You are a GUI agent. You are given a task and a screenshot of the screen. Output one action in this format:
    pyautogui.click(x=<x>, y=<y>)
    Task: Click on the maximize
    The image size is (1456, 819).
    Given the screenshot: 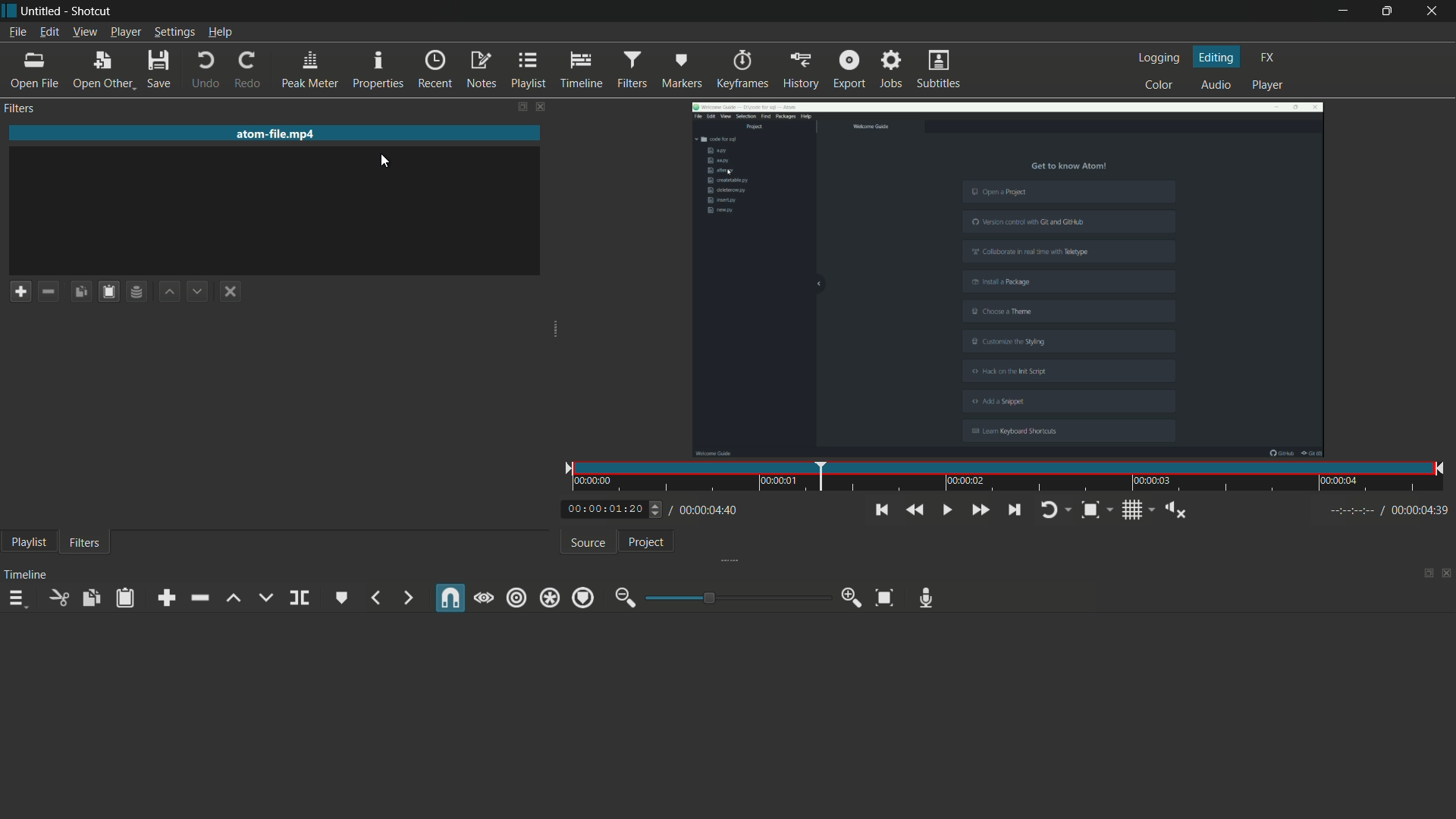 What is the action you would take?
    pyautogui.click(x=1387, y=11)
    